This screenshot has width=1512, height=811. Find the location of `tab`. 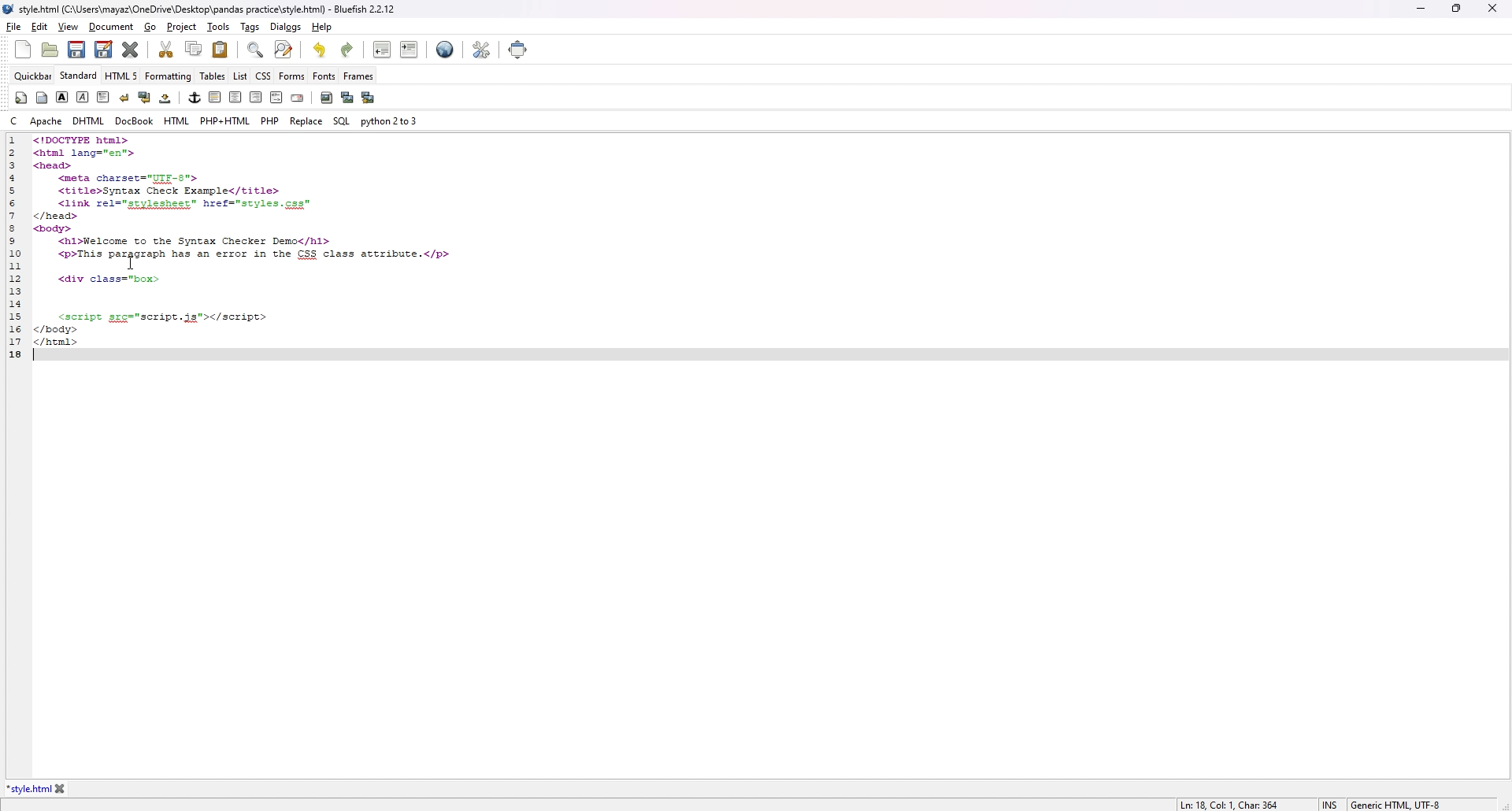

tab is located at coordinates (28, 788).